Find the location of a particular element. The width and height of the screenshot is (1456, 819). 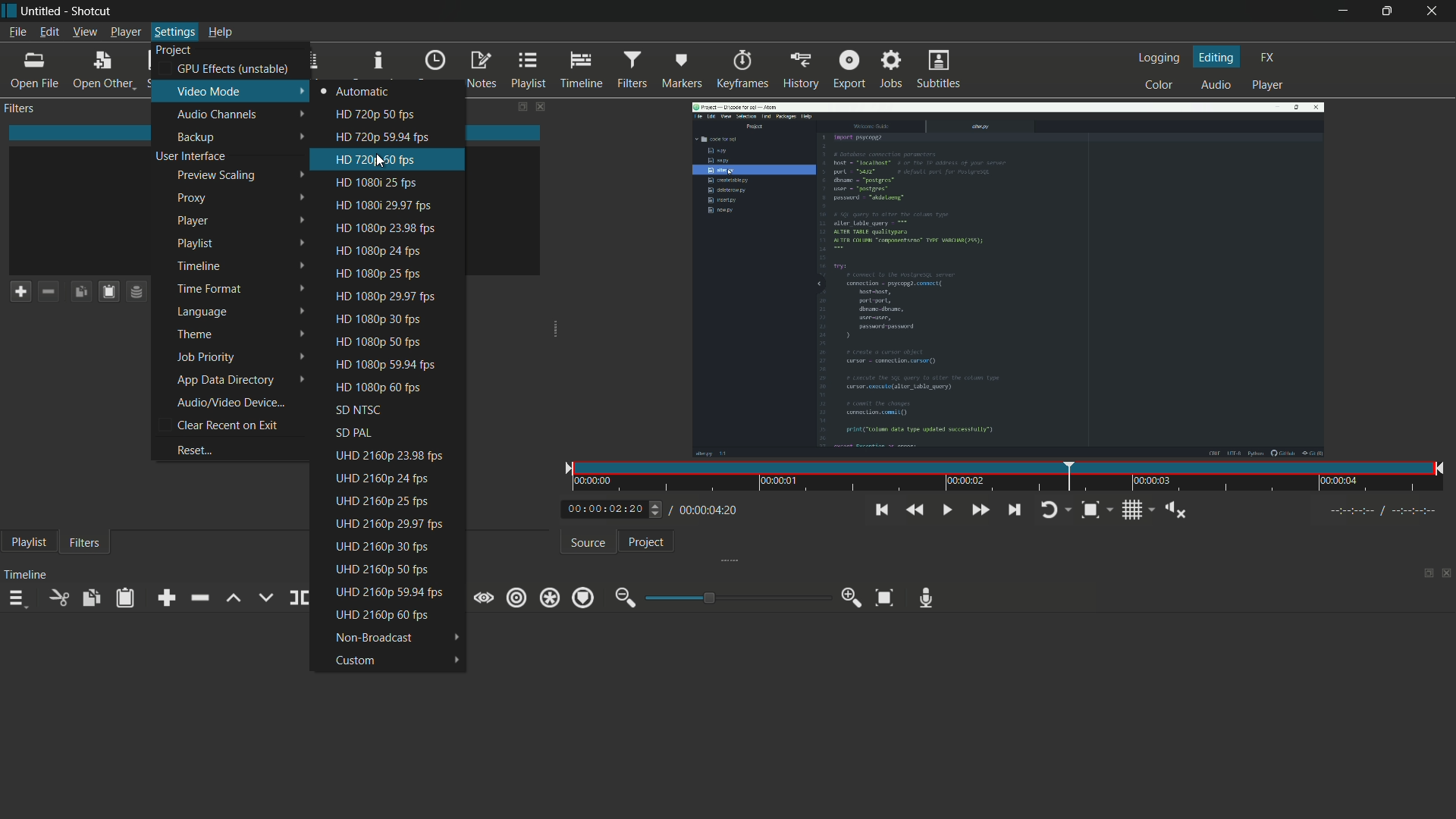

append is located at coordinates (167, 598).